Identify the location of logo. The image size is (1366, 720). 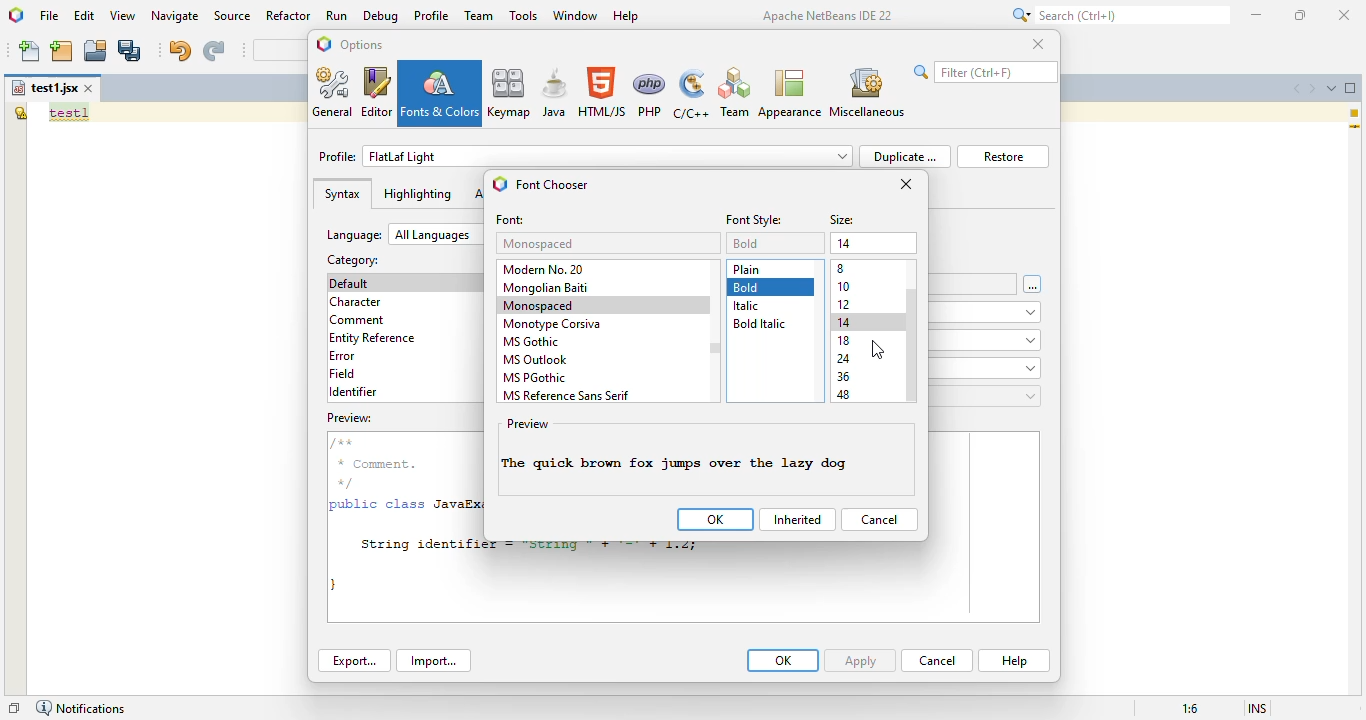
(15, 14).